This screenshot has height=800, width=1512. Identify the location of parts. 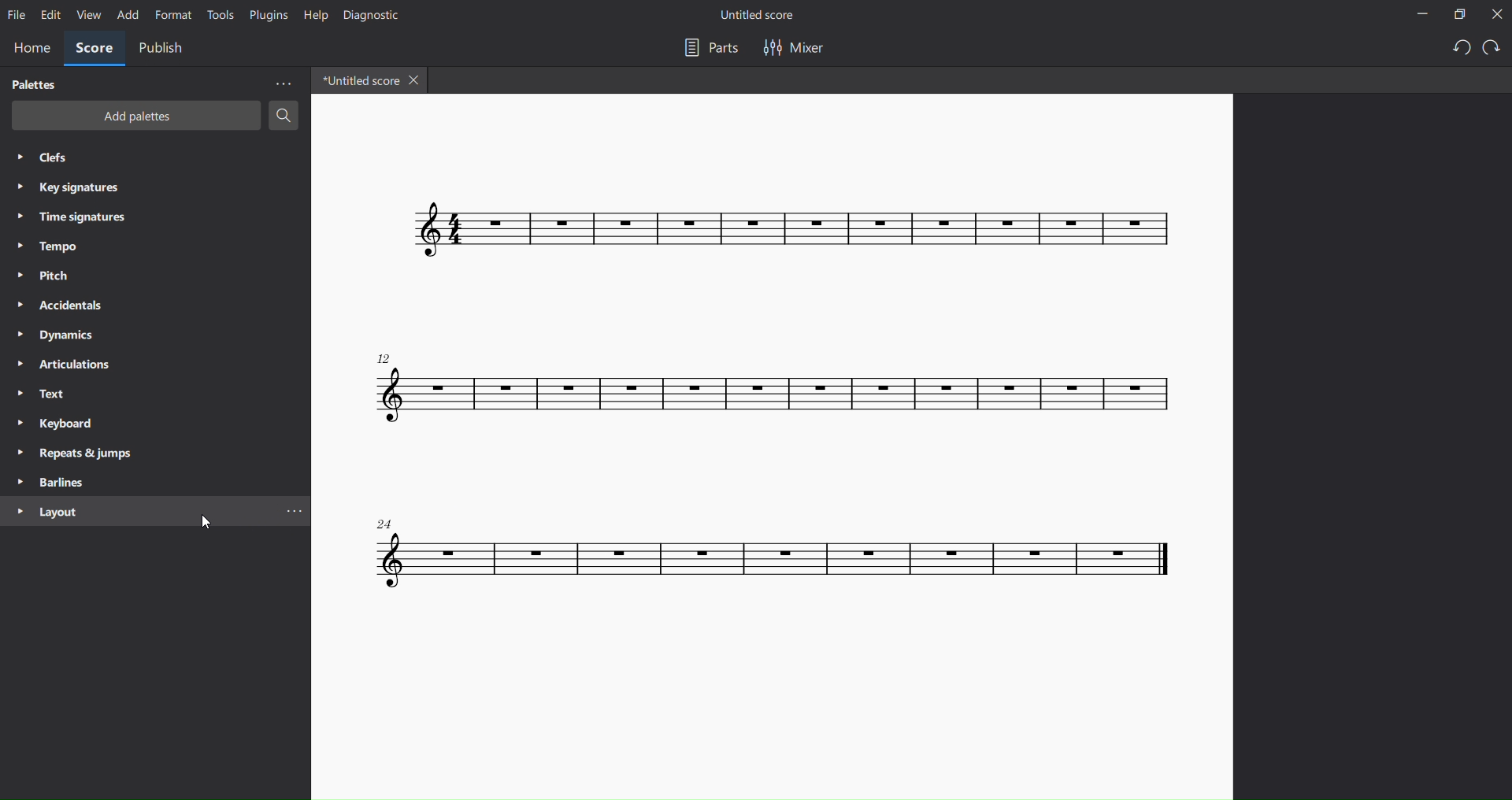
(706, 48).